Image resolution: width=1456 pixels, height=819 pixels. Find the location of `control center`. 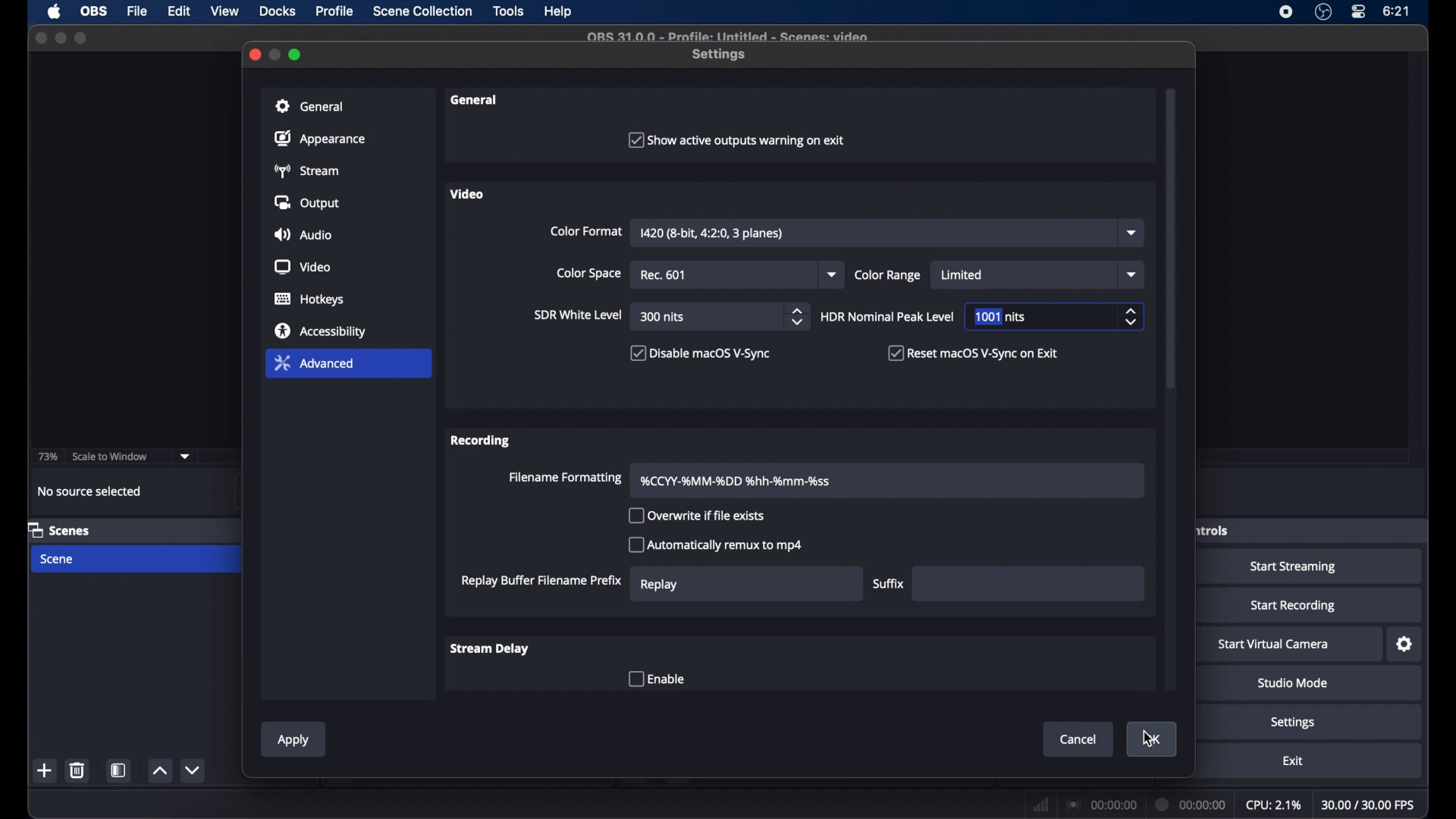

control center is located at coordinates (1357, 12).